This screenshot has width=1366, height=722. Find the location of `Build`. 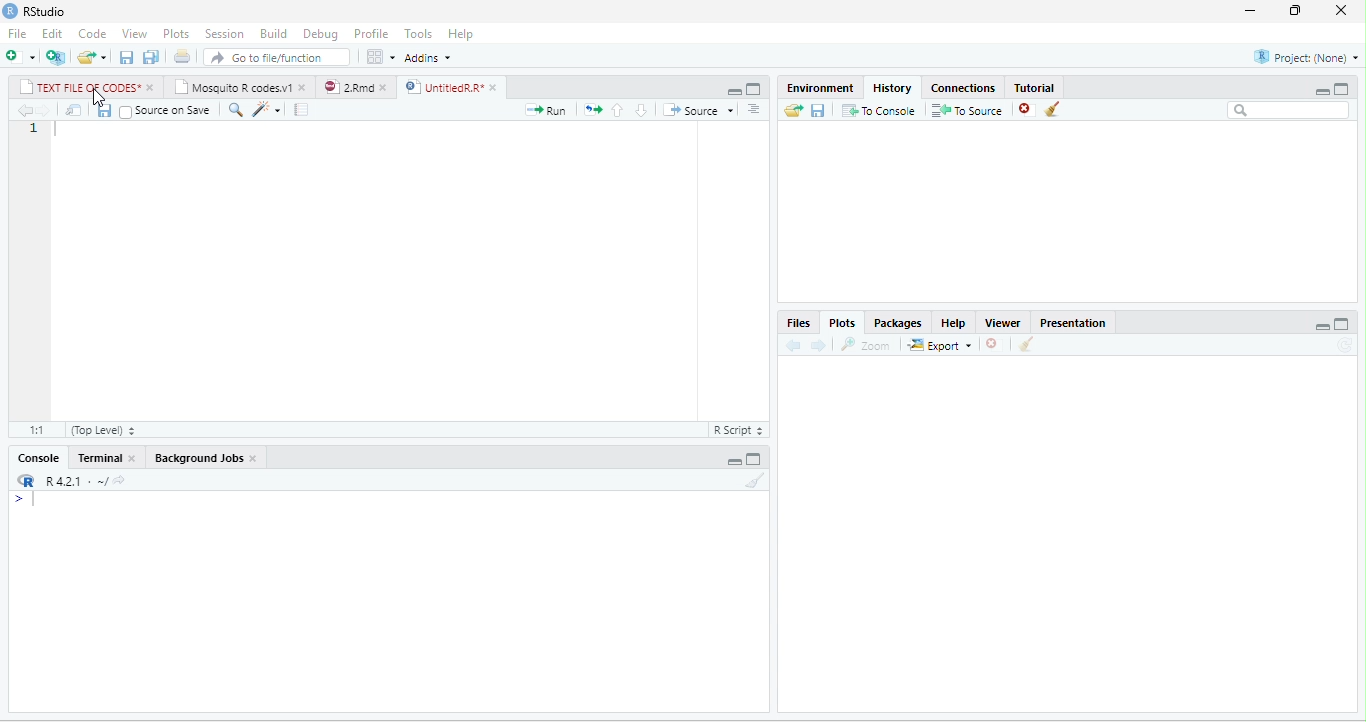

Build is located at coordinates (273, 34).